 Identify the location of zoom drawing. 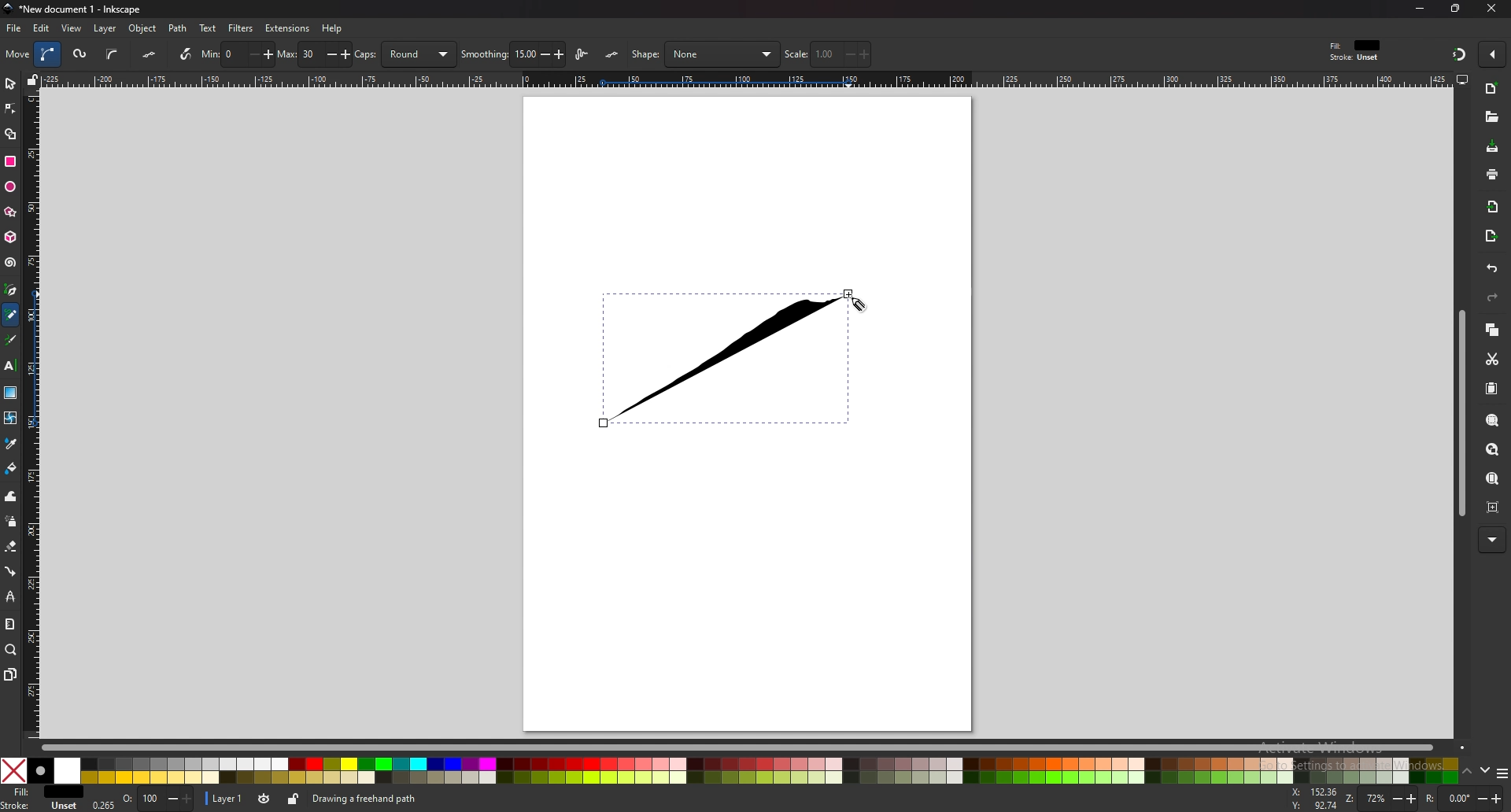
(1493, 451).